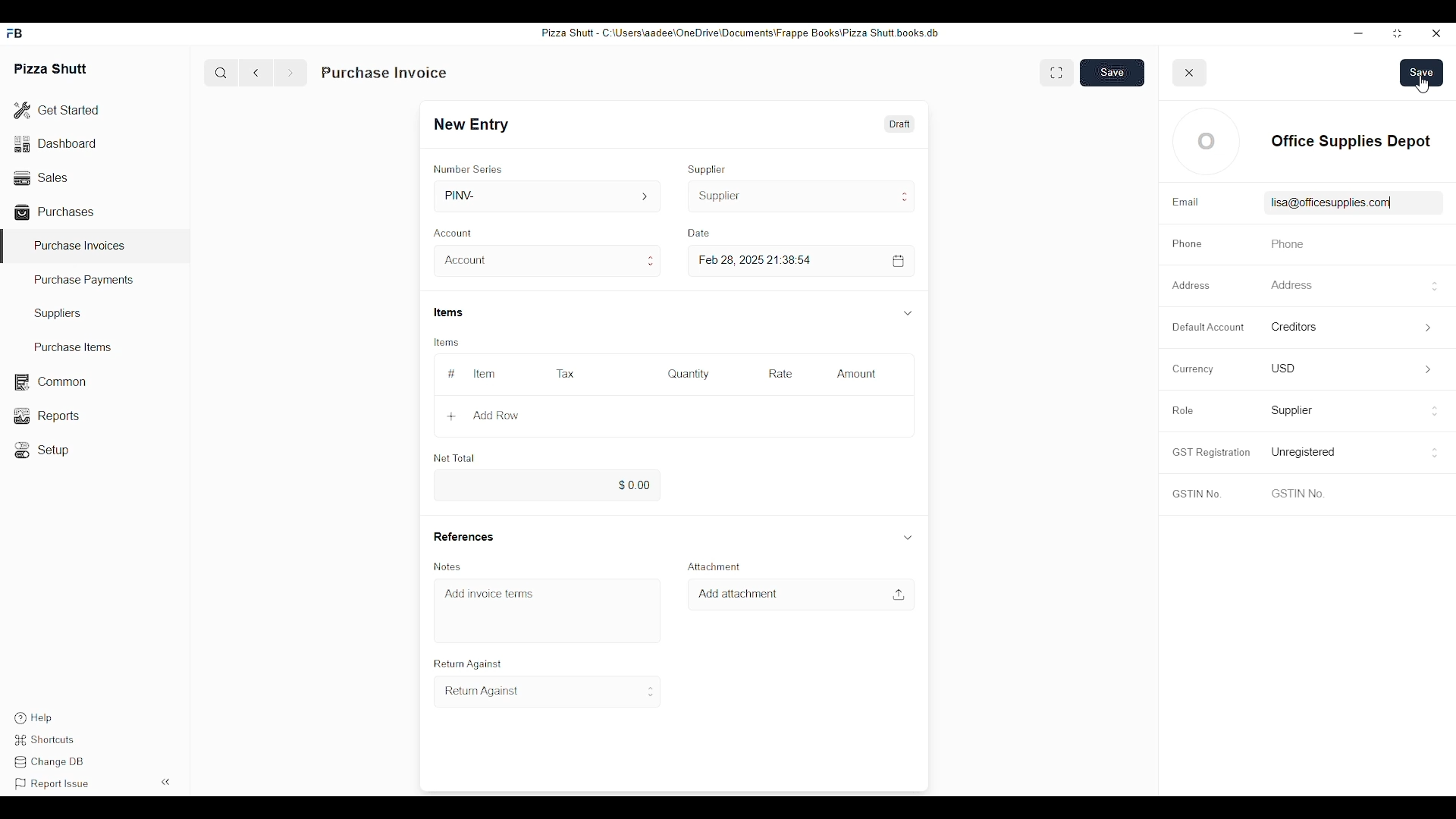 The height and width of the screenshot is (819, 1456). I want to click on References, so click(463, 536).